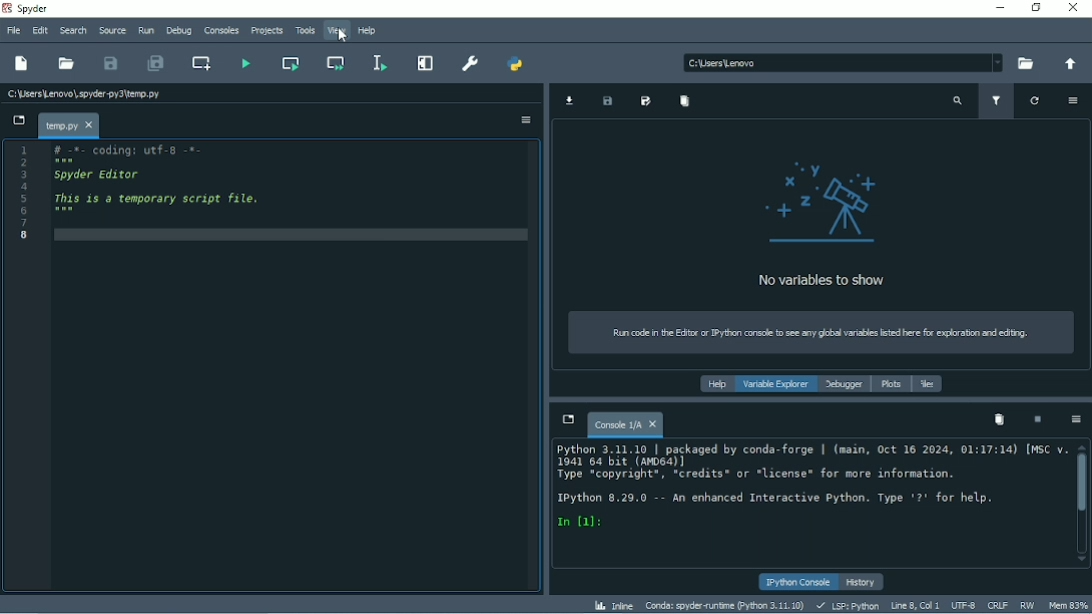 This screenshot has width=1092, height=614. What do you see at coordinates (39, 29) in the screenshot?
I see `Edit` at bounding box center [39, 29].